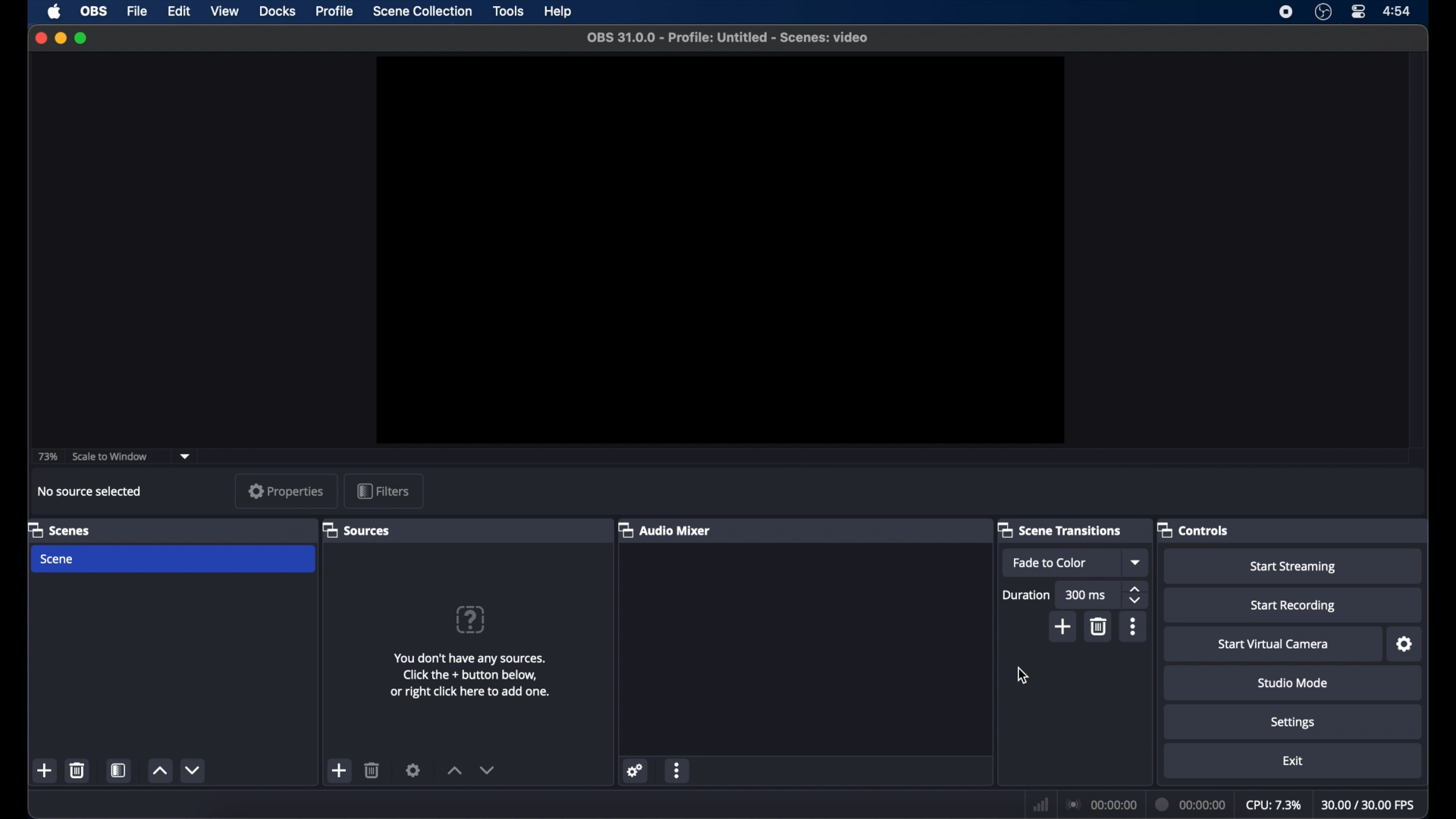  Describe the element at coordinates (382, 491) in the screenshot. I see `filters` at that location.